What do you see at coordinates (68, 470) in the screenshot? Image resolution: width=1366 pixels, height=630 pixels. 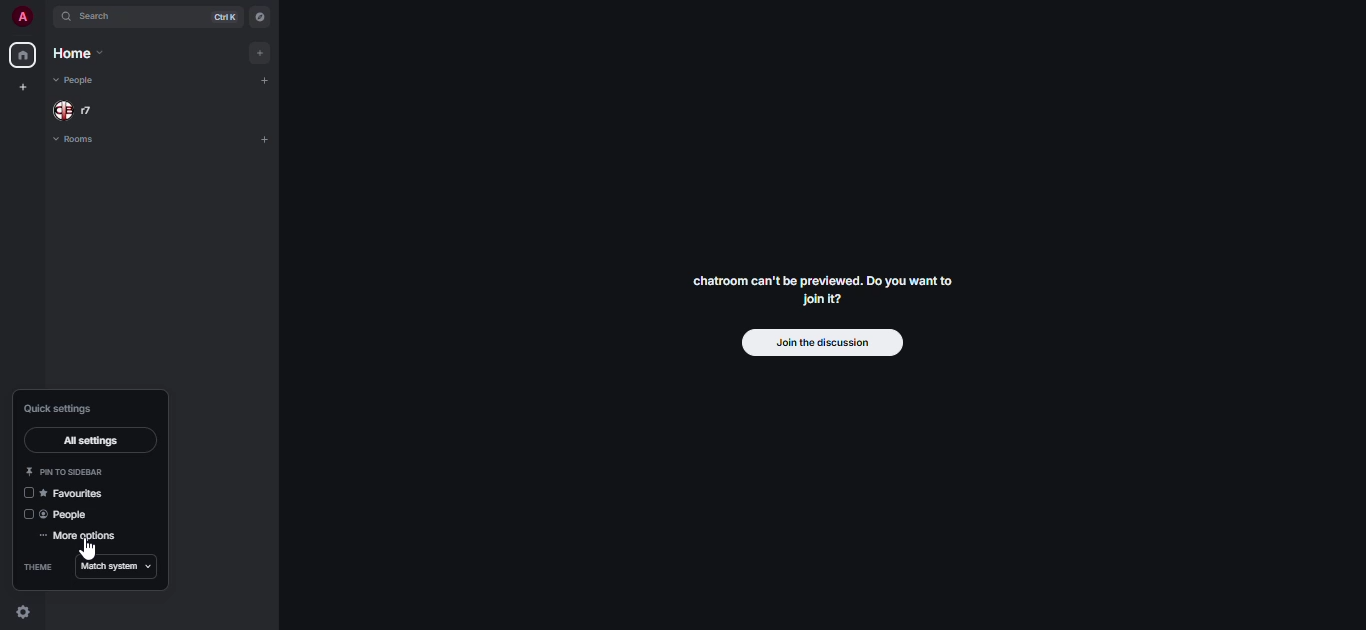 I see `pin to sidebar` at bounding box center [68, 470].